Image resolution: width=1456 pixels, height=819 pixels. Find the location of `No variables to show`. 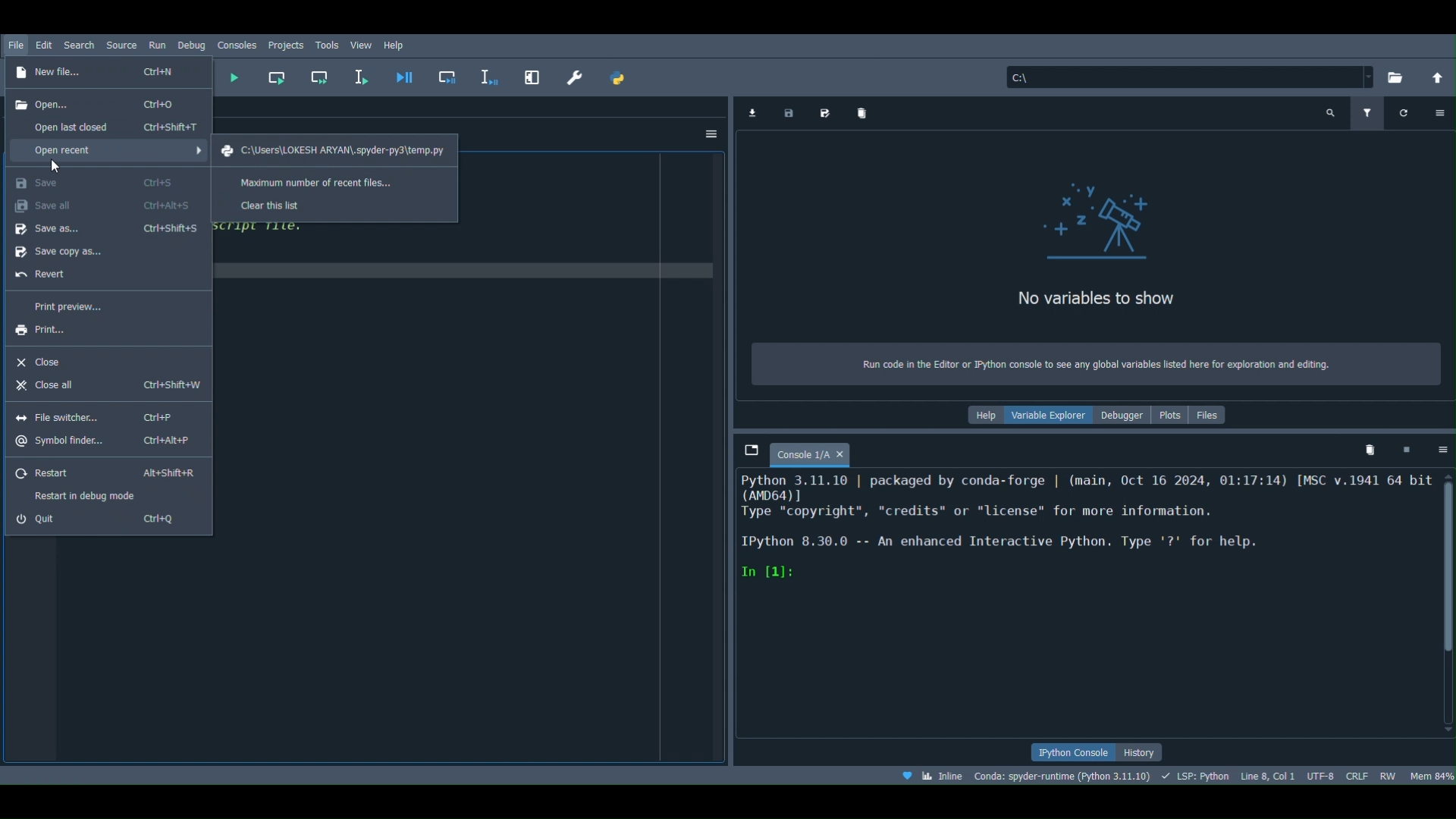

No variables to show is located at coordinates (1101, 300).